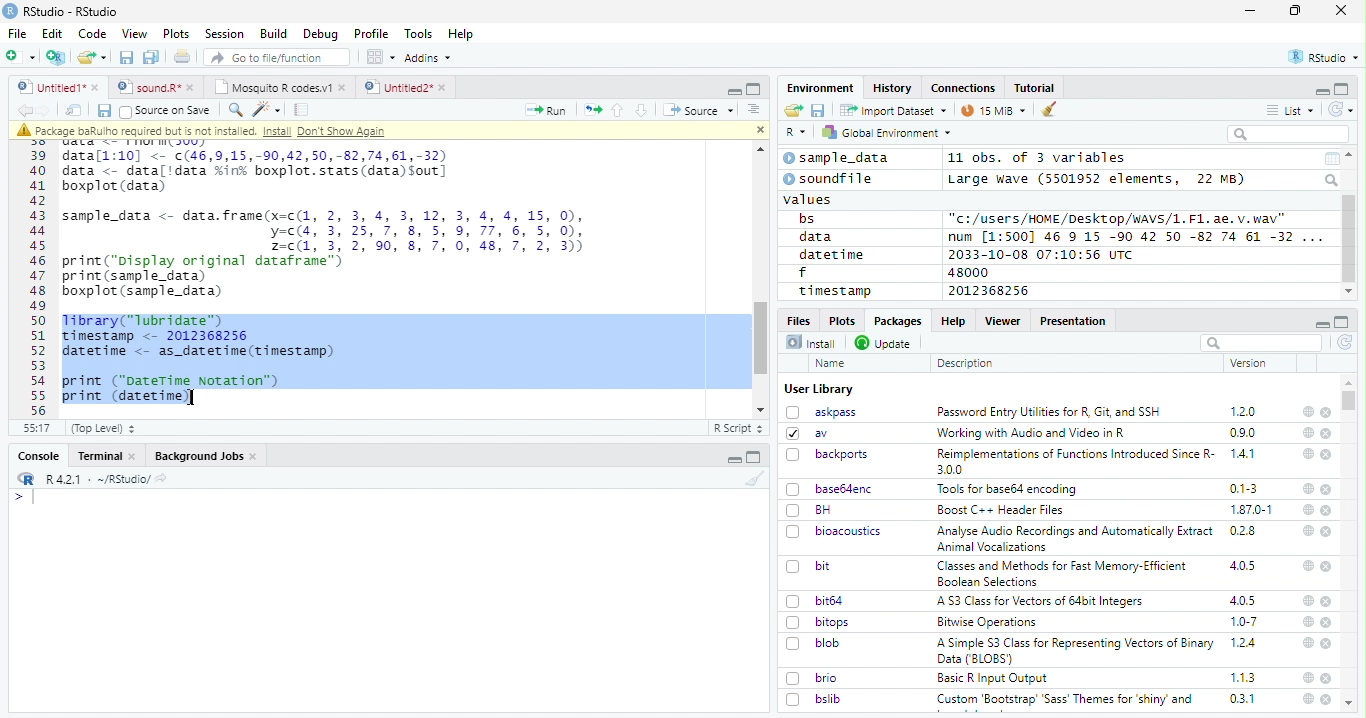 This screenshot has height=718, width=1366. Describe the element at coordinates (819, 389) in the screenshot. I see `User Library` at that location.